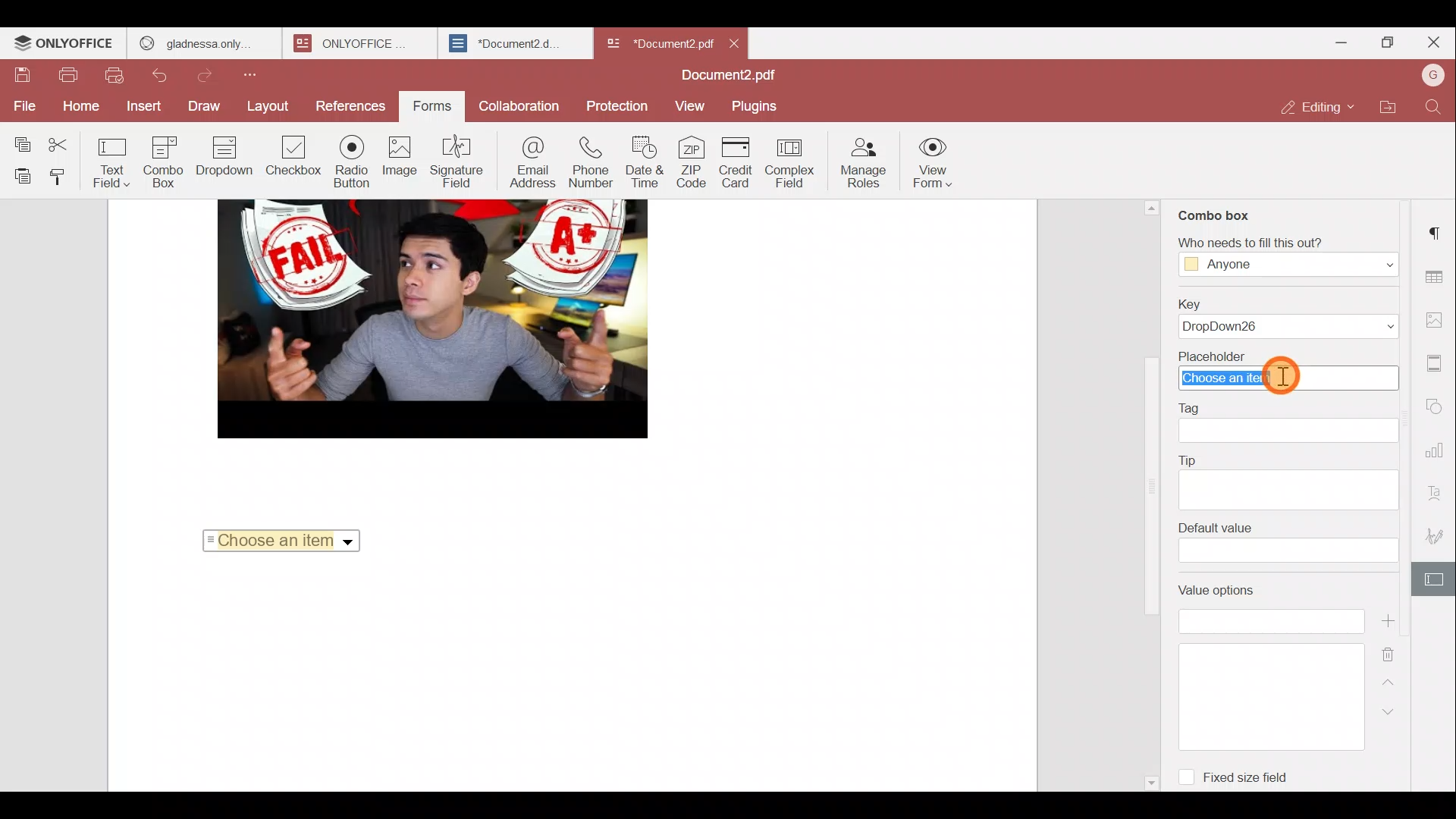 Image resolution: width=1456 pixels, height=819 pixels. I want to click on Date & time, so click(645, 165).